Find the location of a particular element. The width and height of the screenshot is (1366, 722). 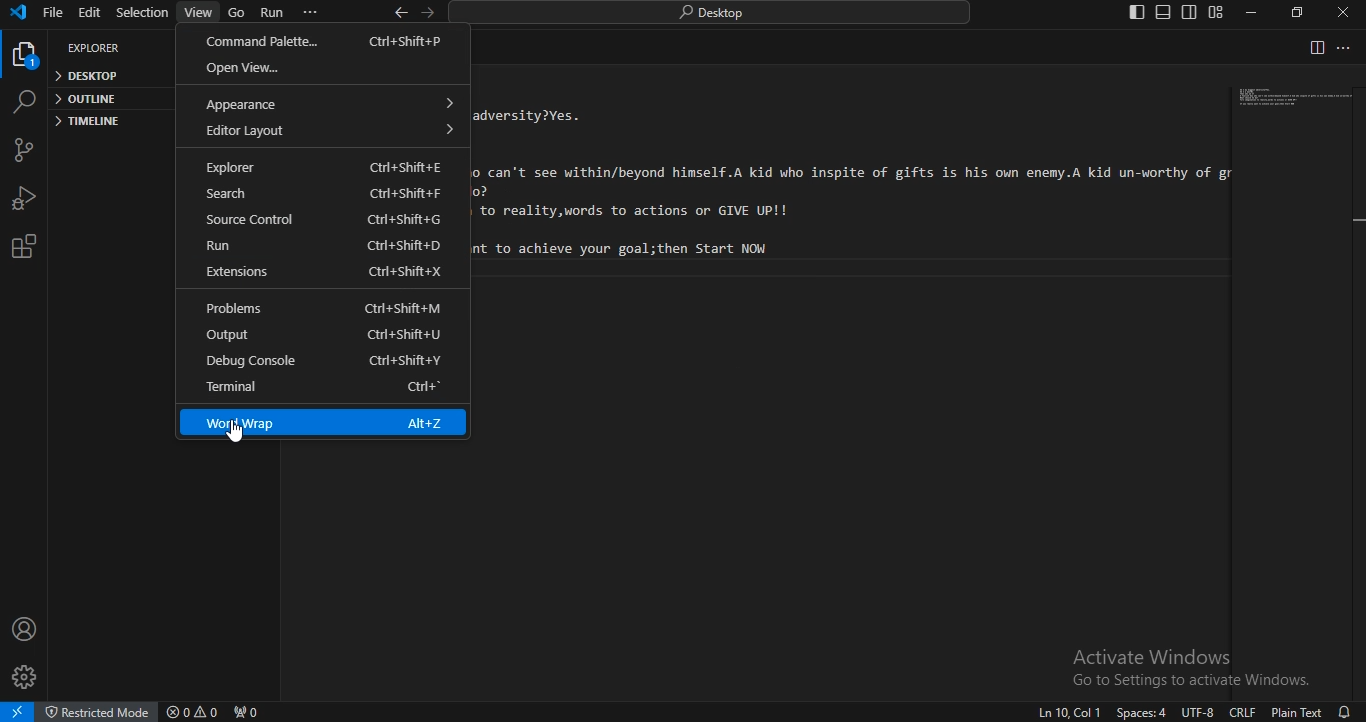

account is located at coordinates (25, 627).